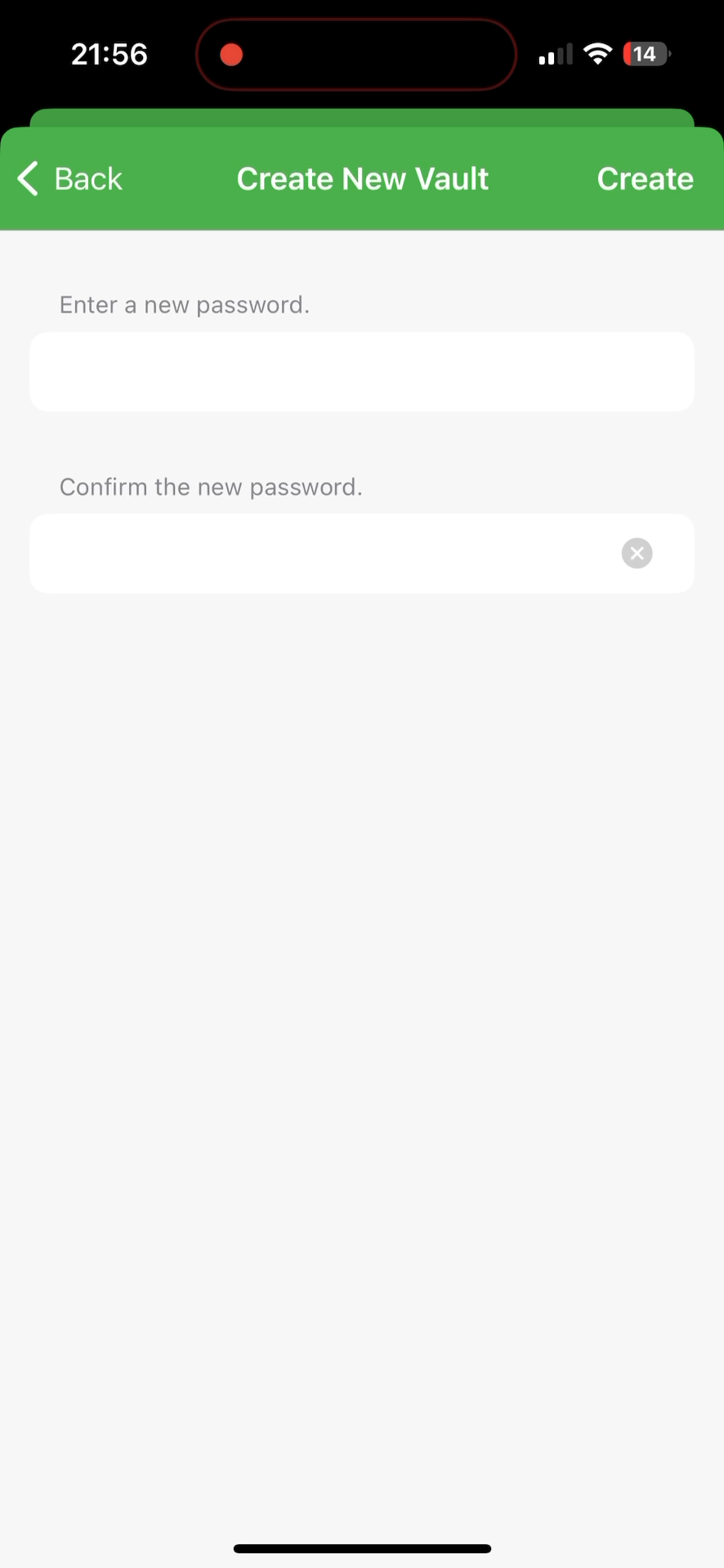  Describe the element at coordinates (648, 552) in the screenshot. I see `close` at that location.